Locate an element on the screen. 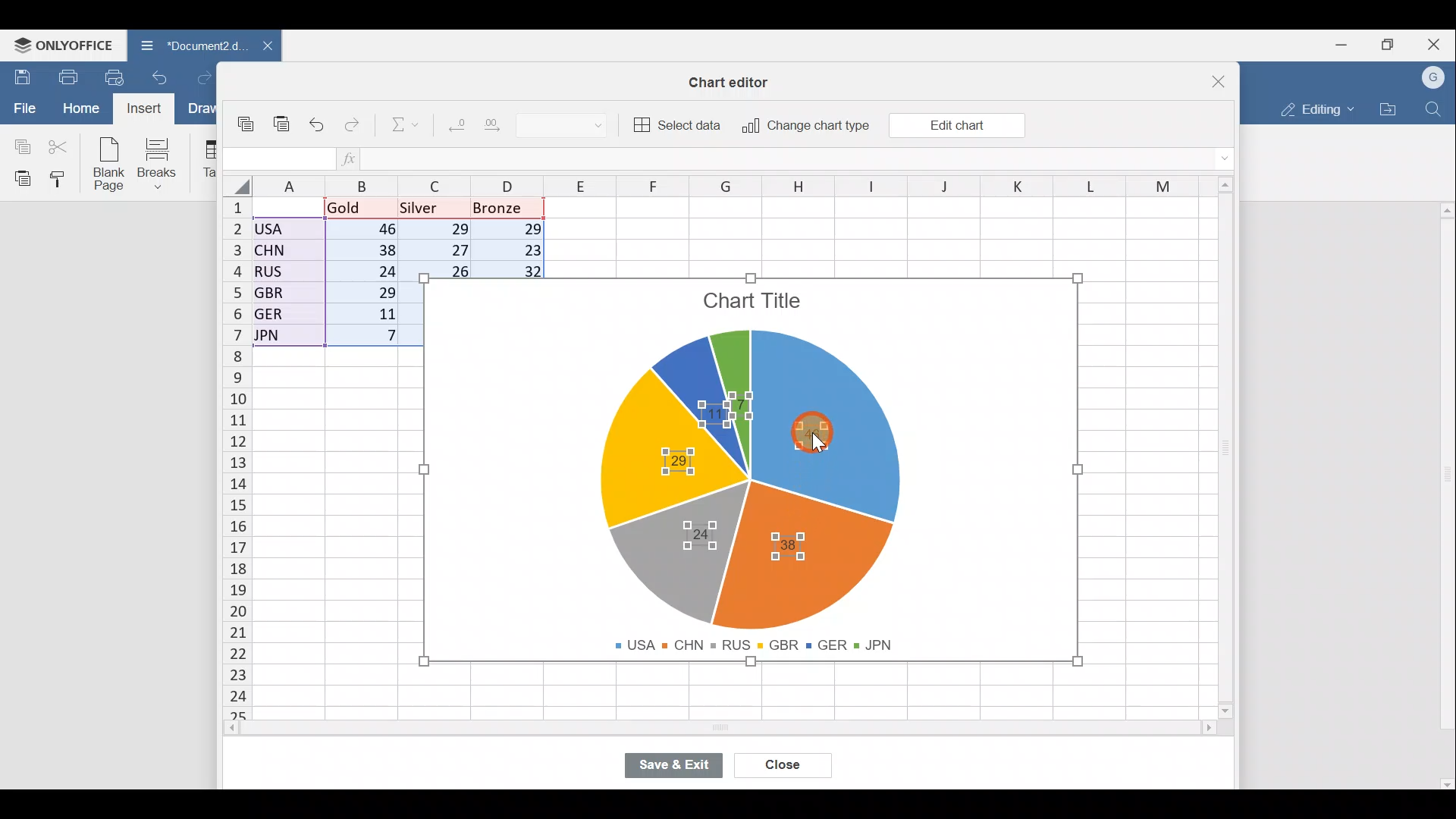 The image size is (1456, 819). Rows is located at coordinates (237, 449).